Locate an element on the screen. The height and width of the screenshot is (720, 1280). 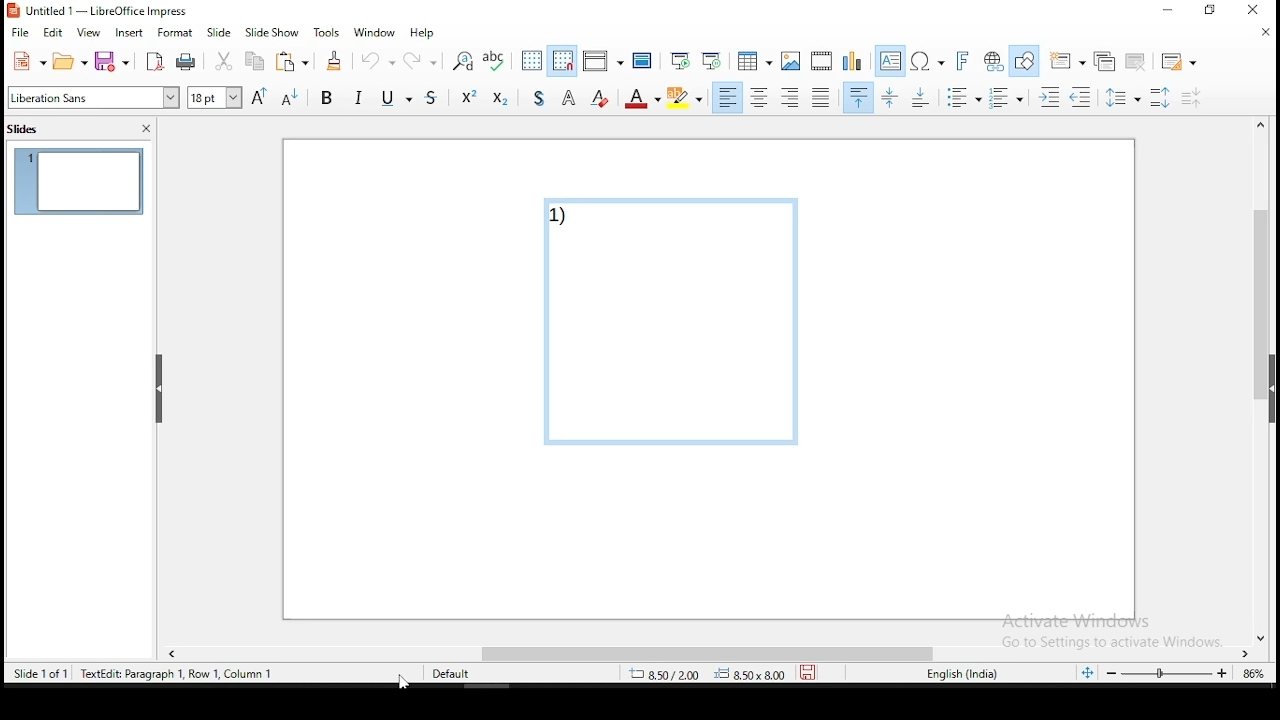
decrease paragraph spacing is located at coordinates (1193, 98).